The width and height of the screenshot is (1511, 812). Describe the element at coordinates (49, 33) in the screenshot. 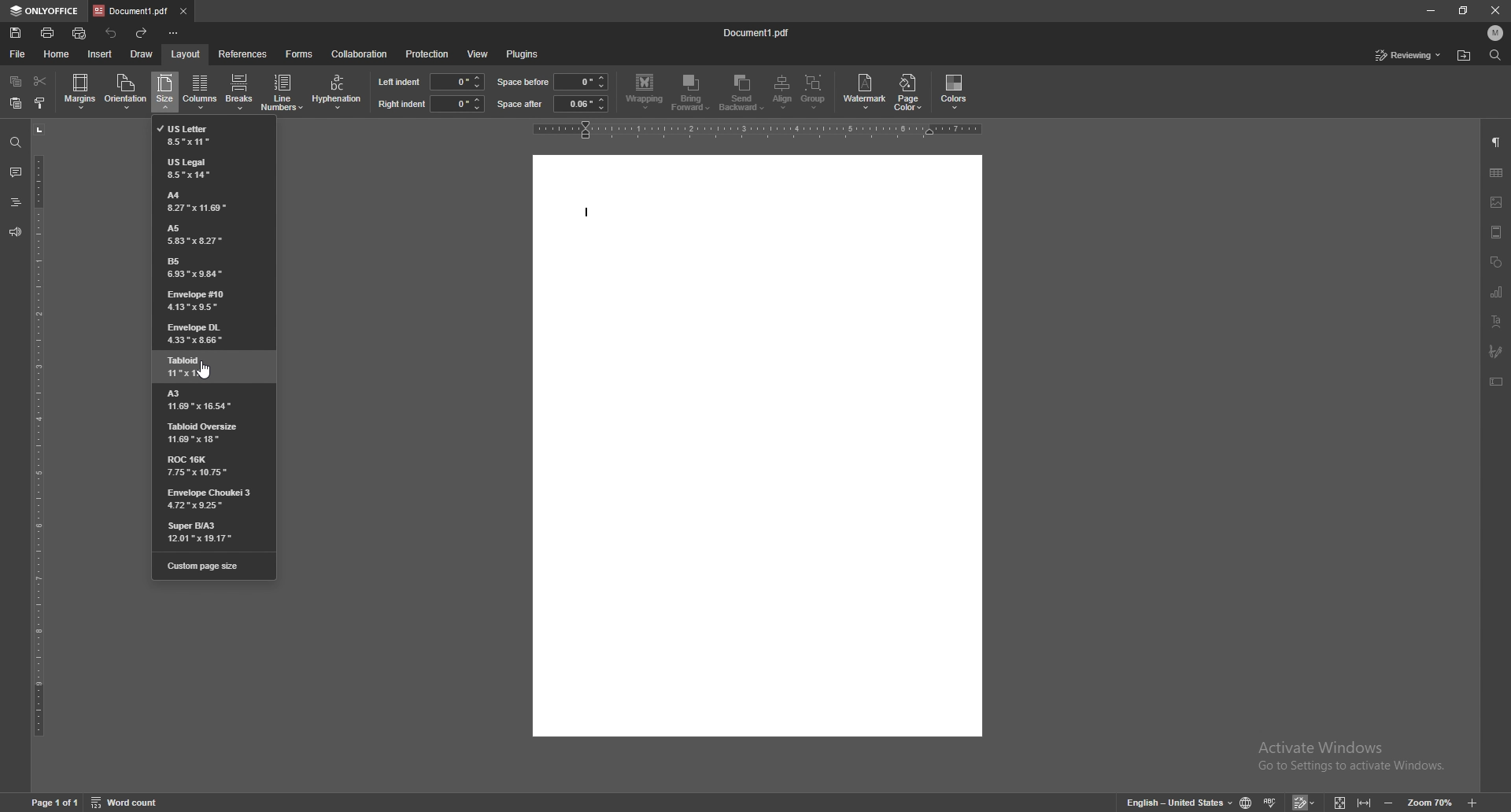

I see `print` at that location.